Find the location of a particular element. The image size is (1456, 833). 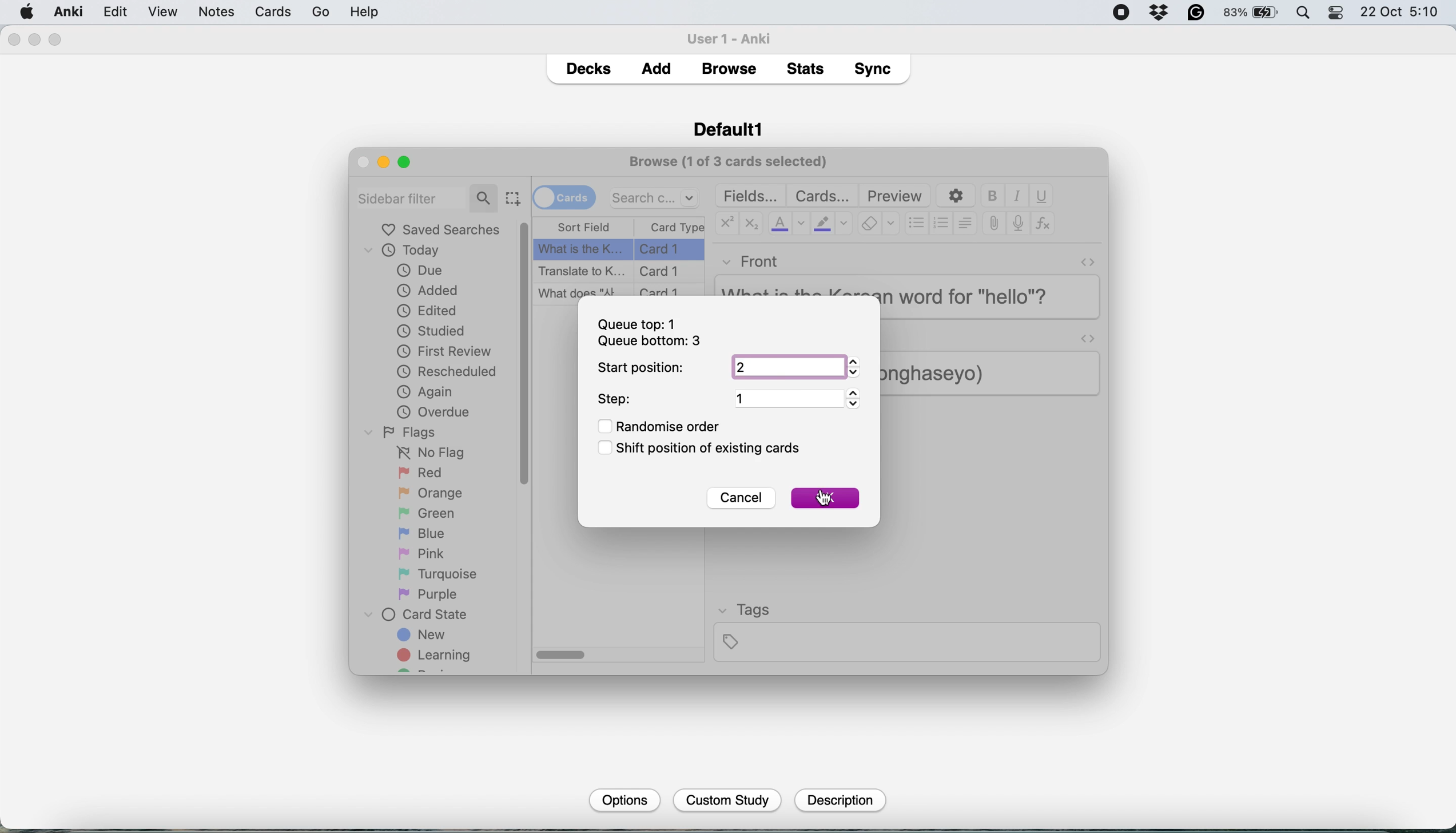

Options is located at coordinates (623, 799).